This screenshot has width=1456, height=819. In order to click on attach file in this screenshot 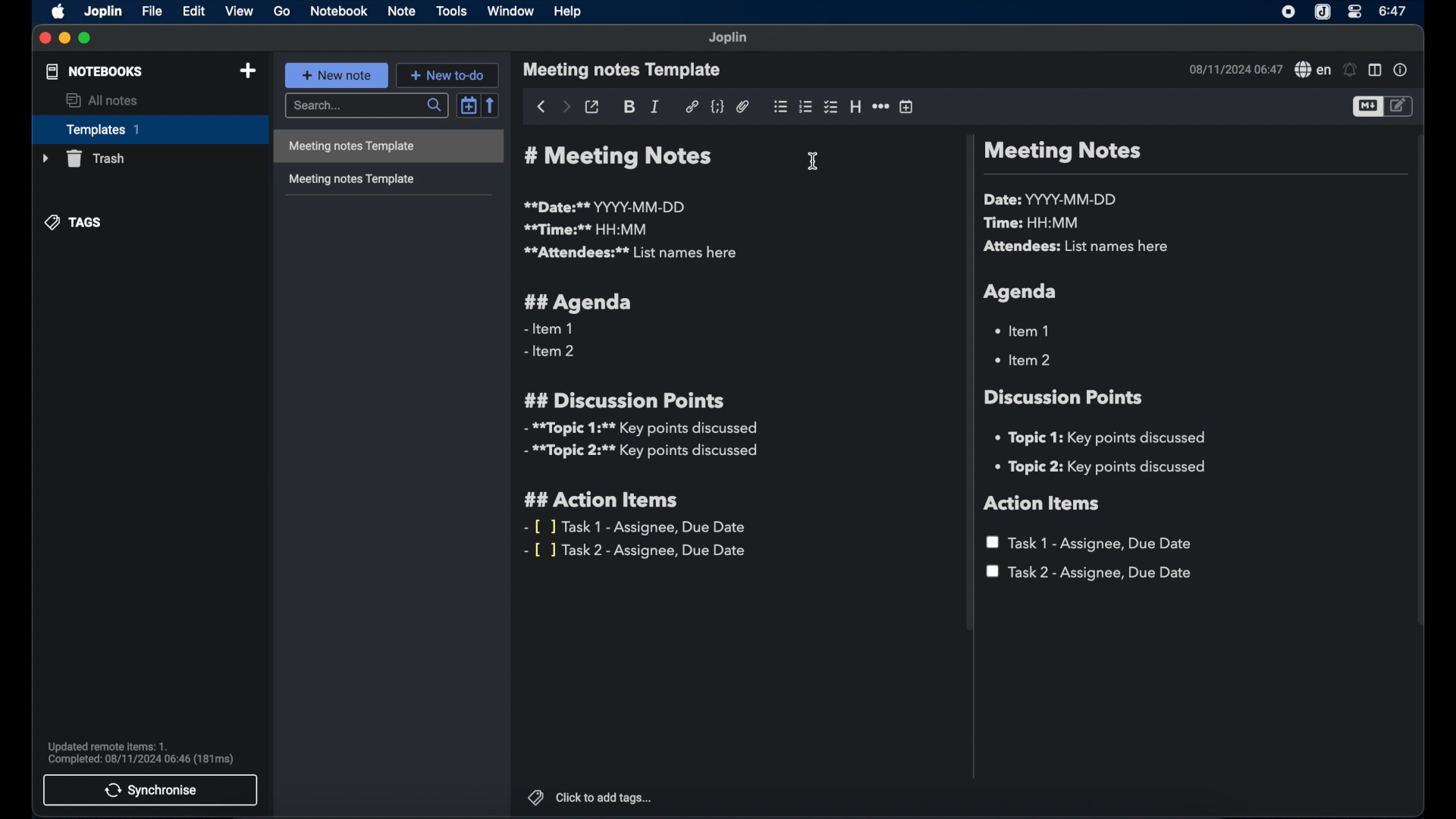, I will do `click(743, 107)`.